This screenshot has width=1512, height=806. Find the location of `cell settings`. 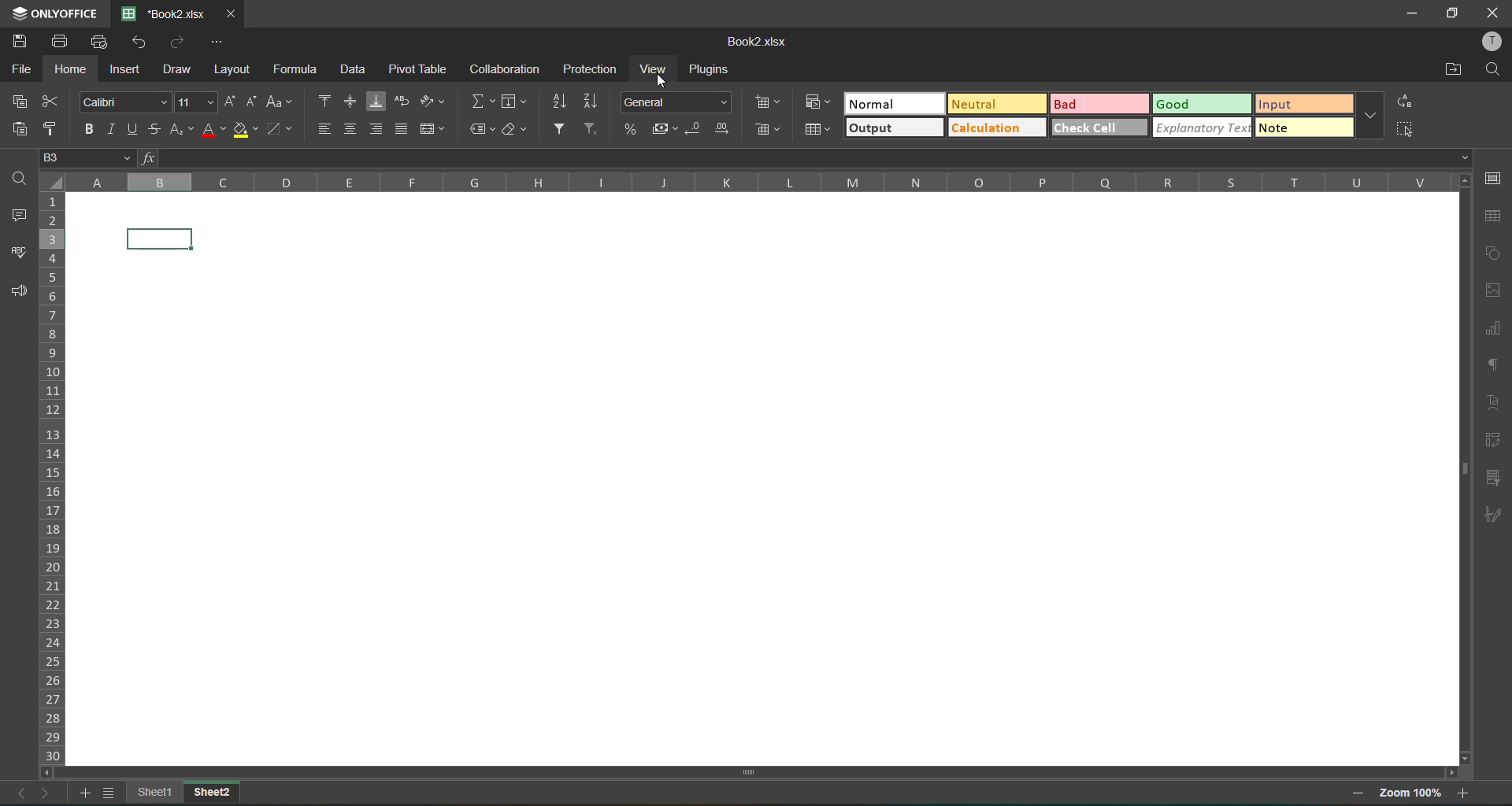

cell settings is located at coordinates (1497, 179).